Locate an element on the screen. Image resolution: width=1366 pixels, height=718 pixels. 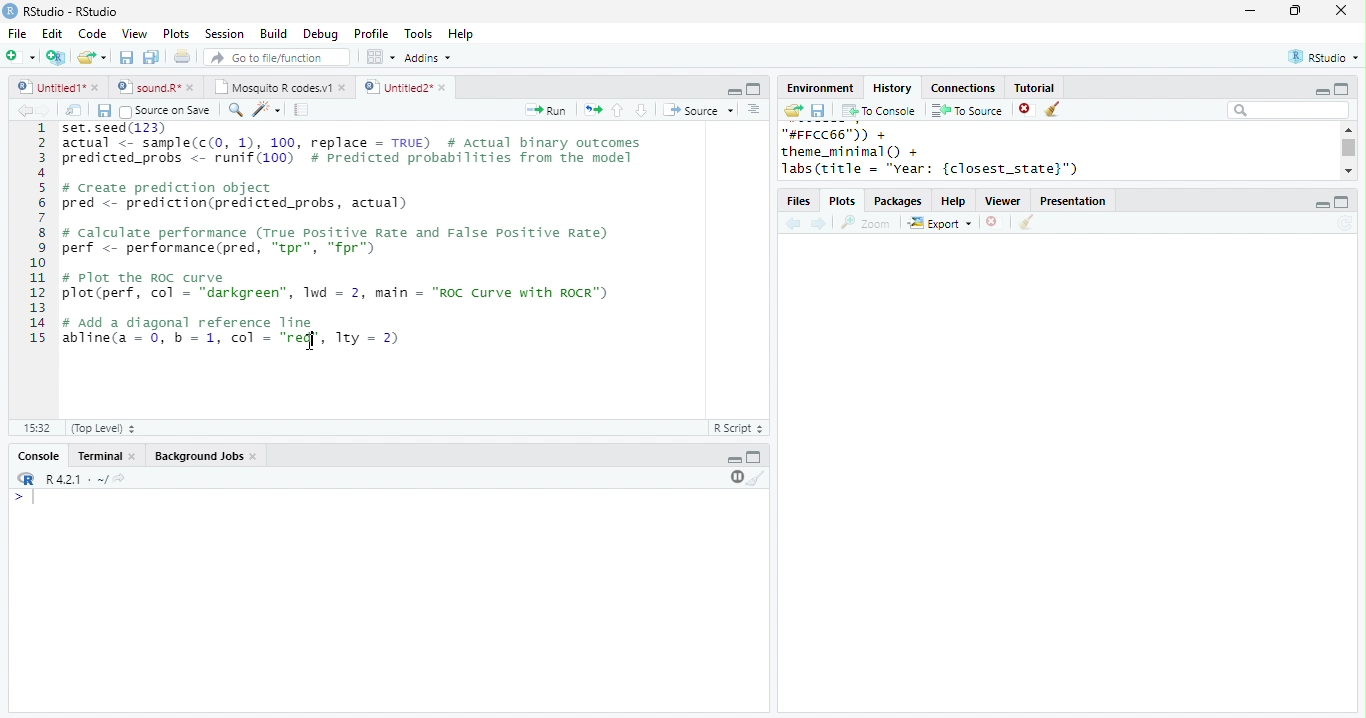
code tools is located at coordinates (267, 109).